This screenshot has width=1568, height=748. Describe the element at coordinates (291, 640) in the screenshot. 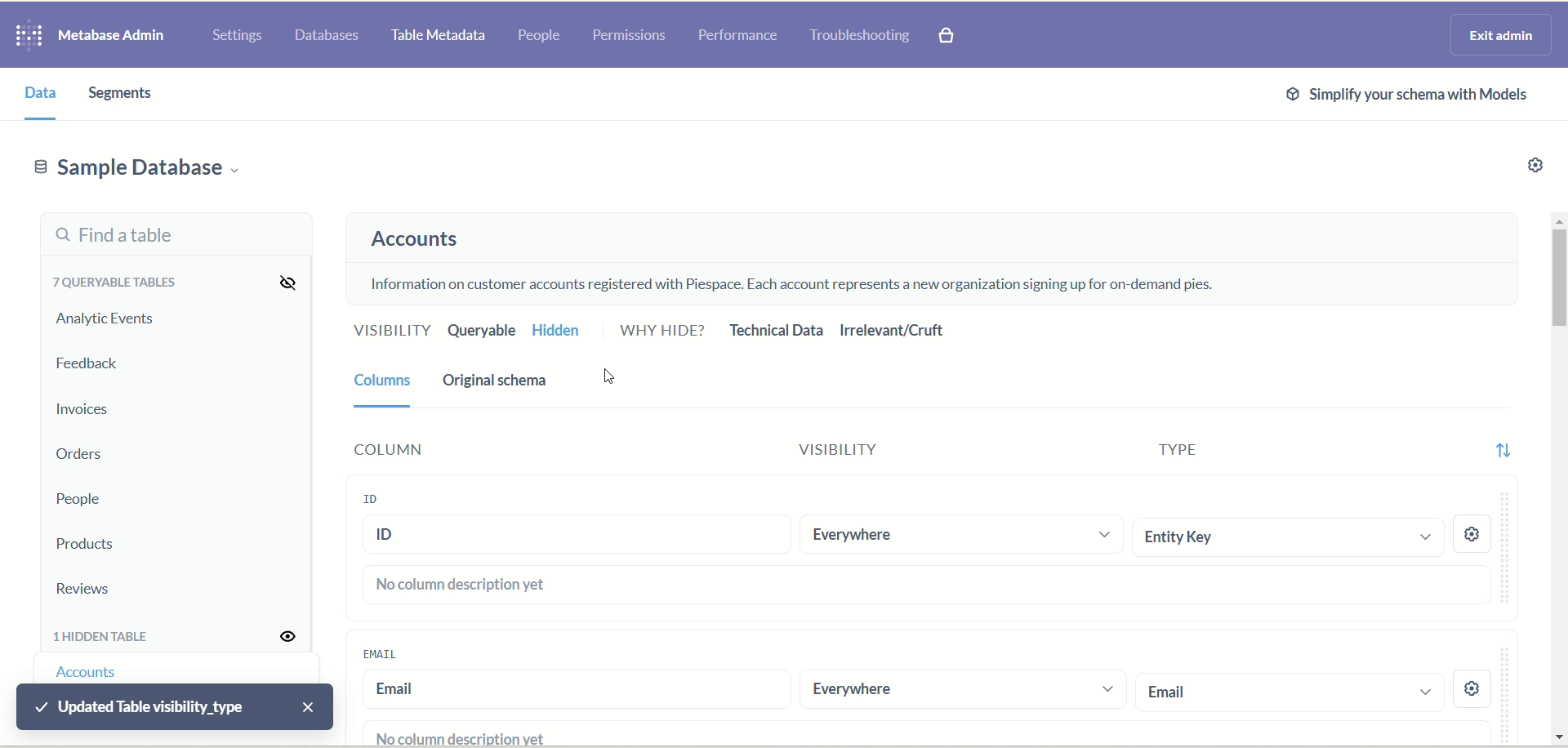

I see `visibility` at that location.